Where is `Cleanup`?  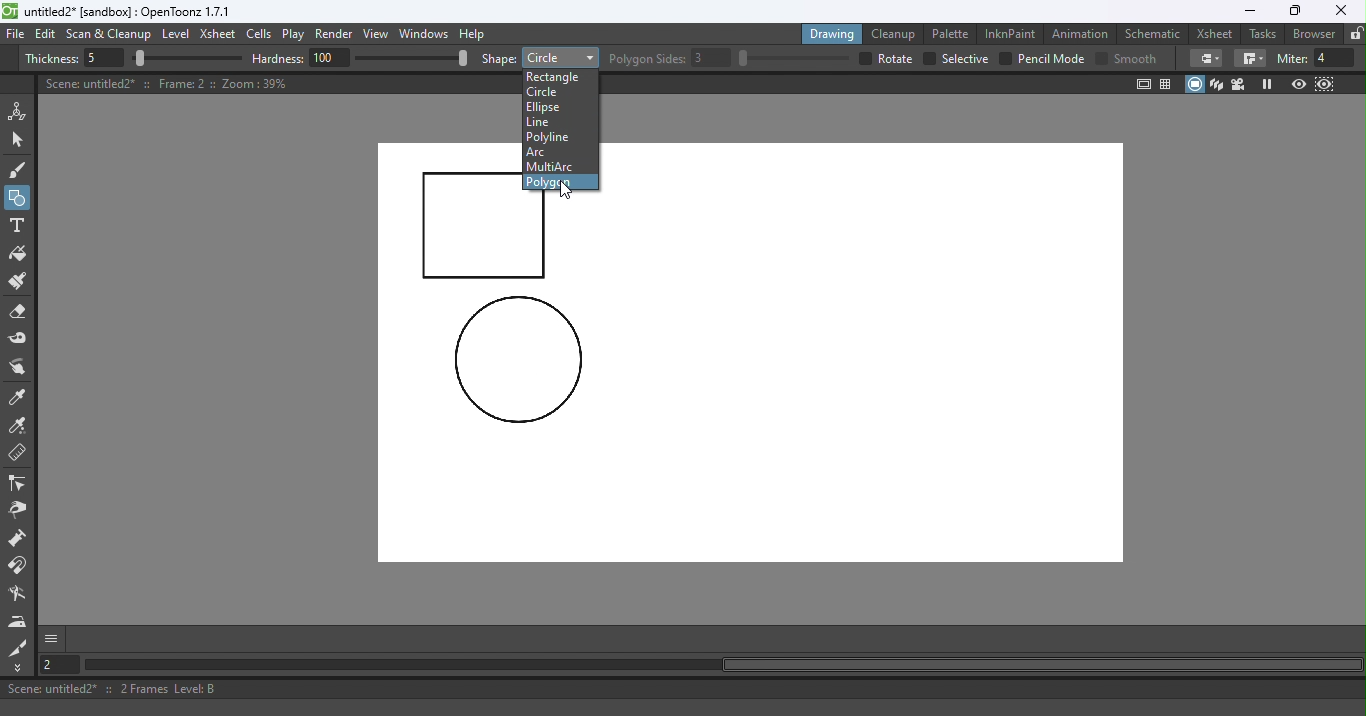
Cleanup is located at coordinates (897, 33).